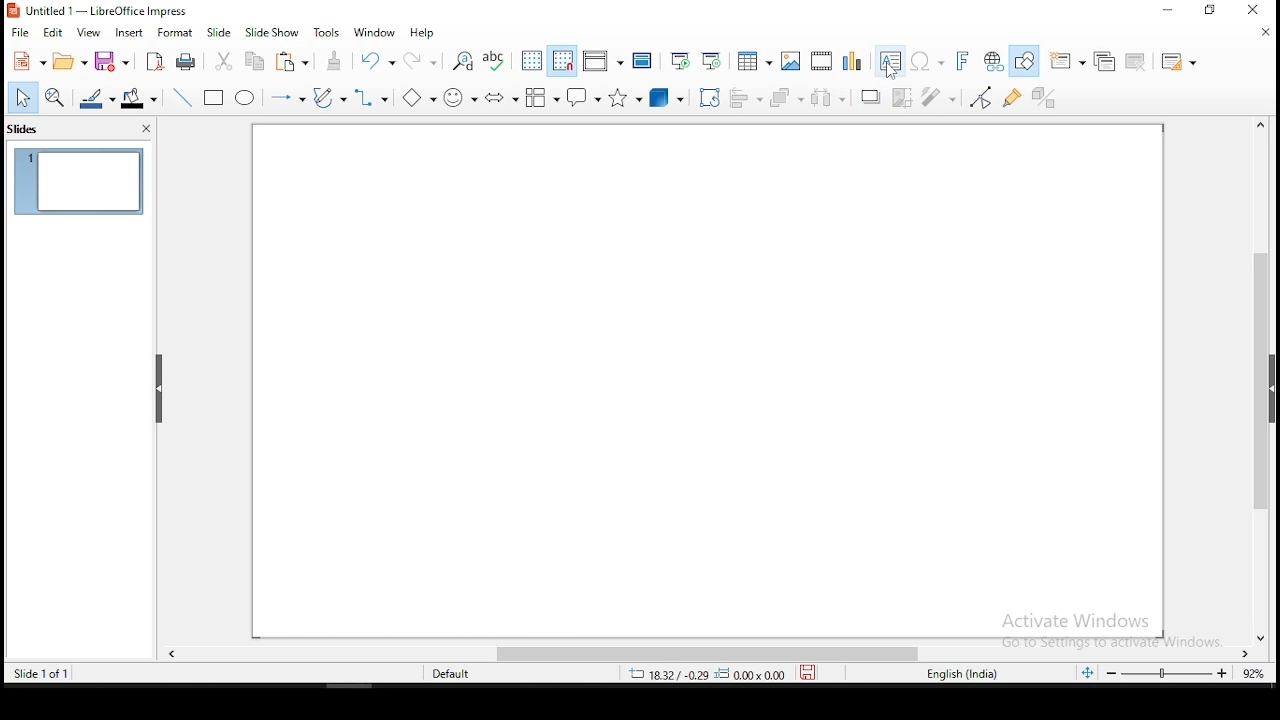  I want to click on close, so click(146, 129).